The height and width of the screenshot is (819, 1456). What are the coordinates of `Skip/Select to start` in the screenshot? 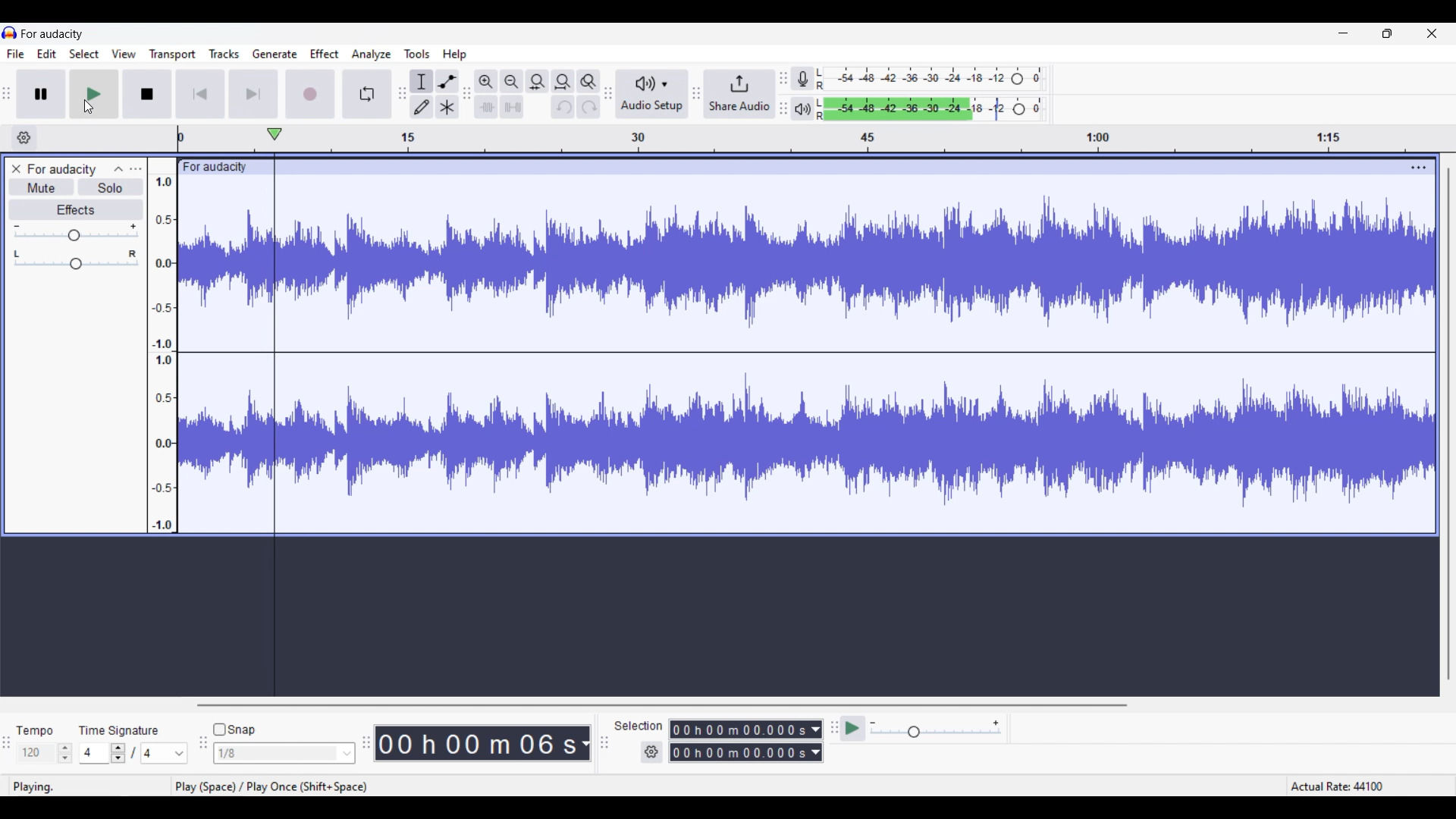 It's located at (201, 94).